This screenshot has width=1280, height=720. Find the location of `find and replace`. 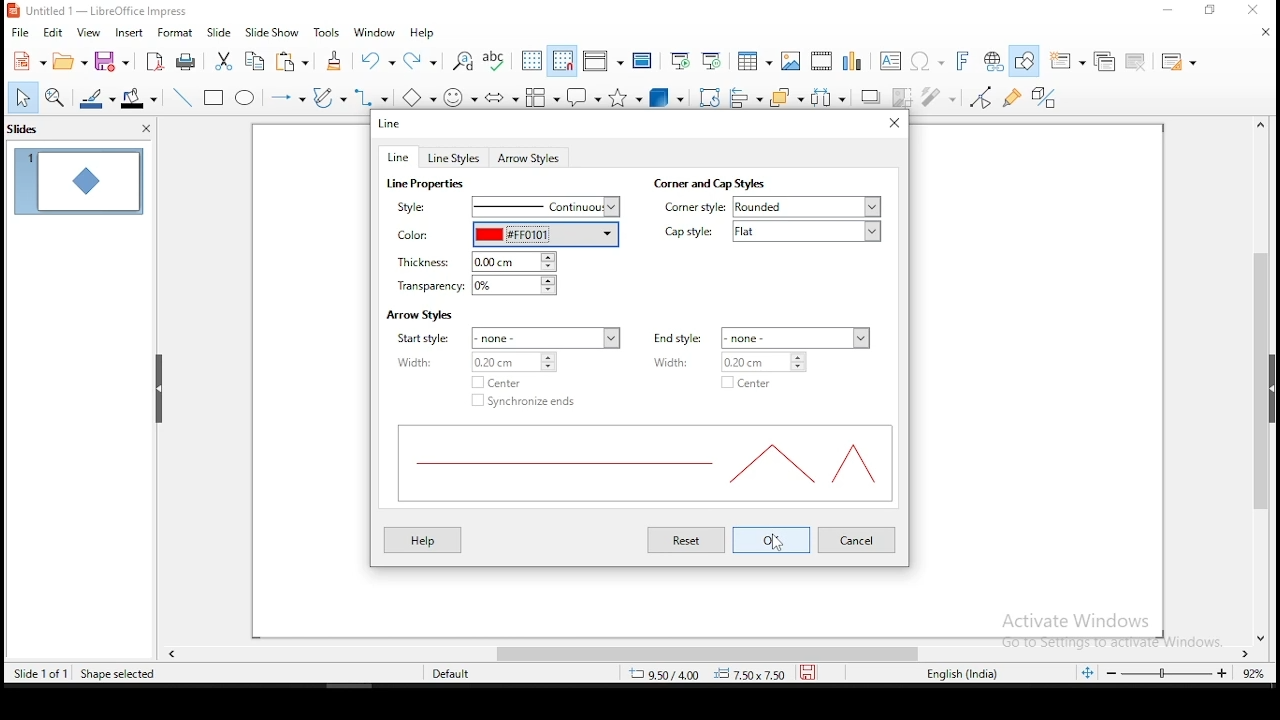

find and replace is located at coordinates (463, 59).